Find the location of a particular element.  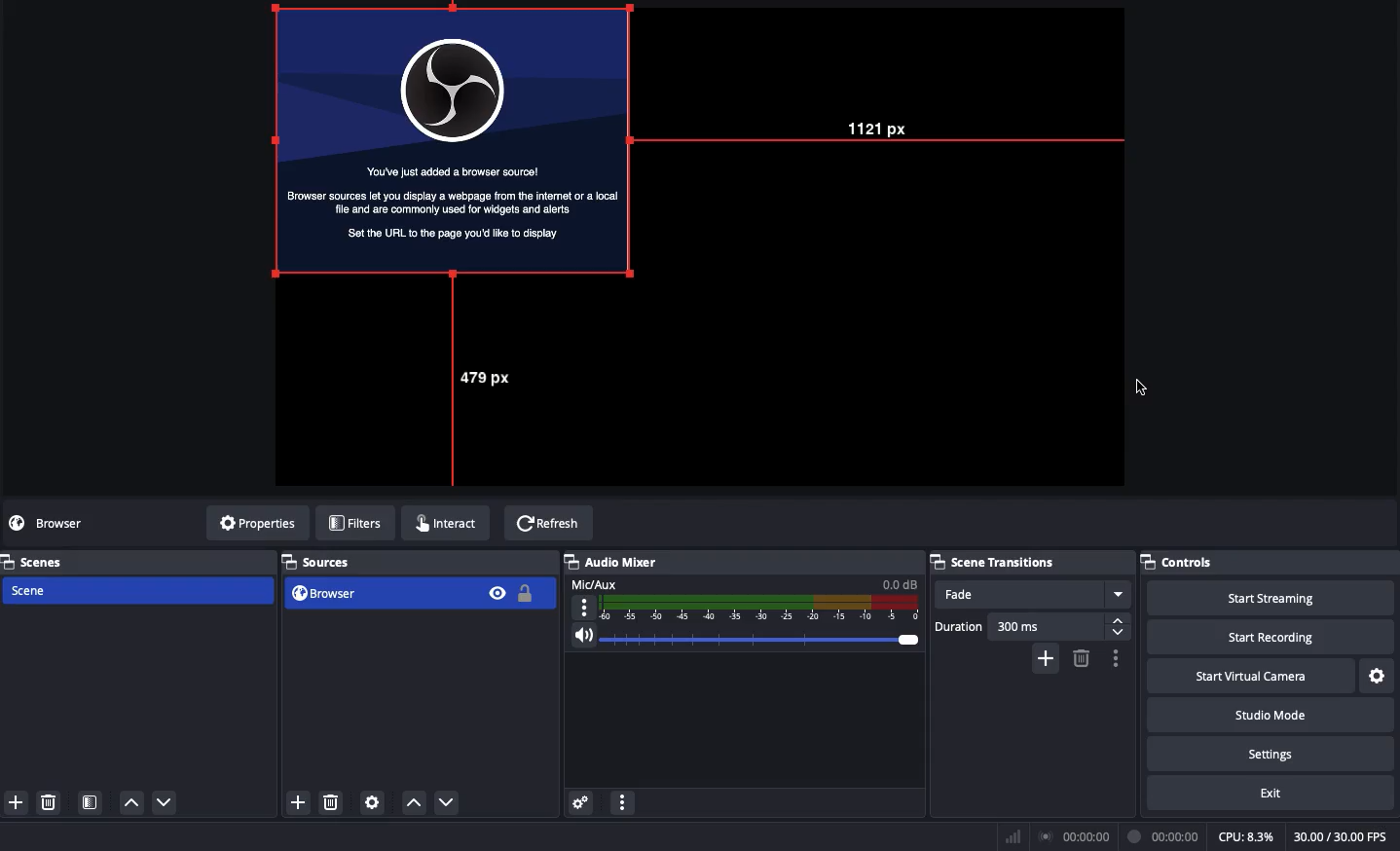

Move down is located at coordinates (447, 802).